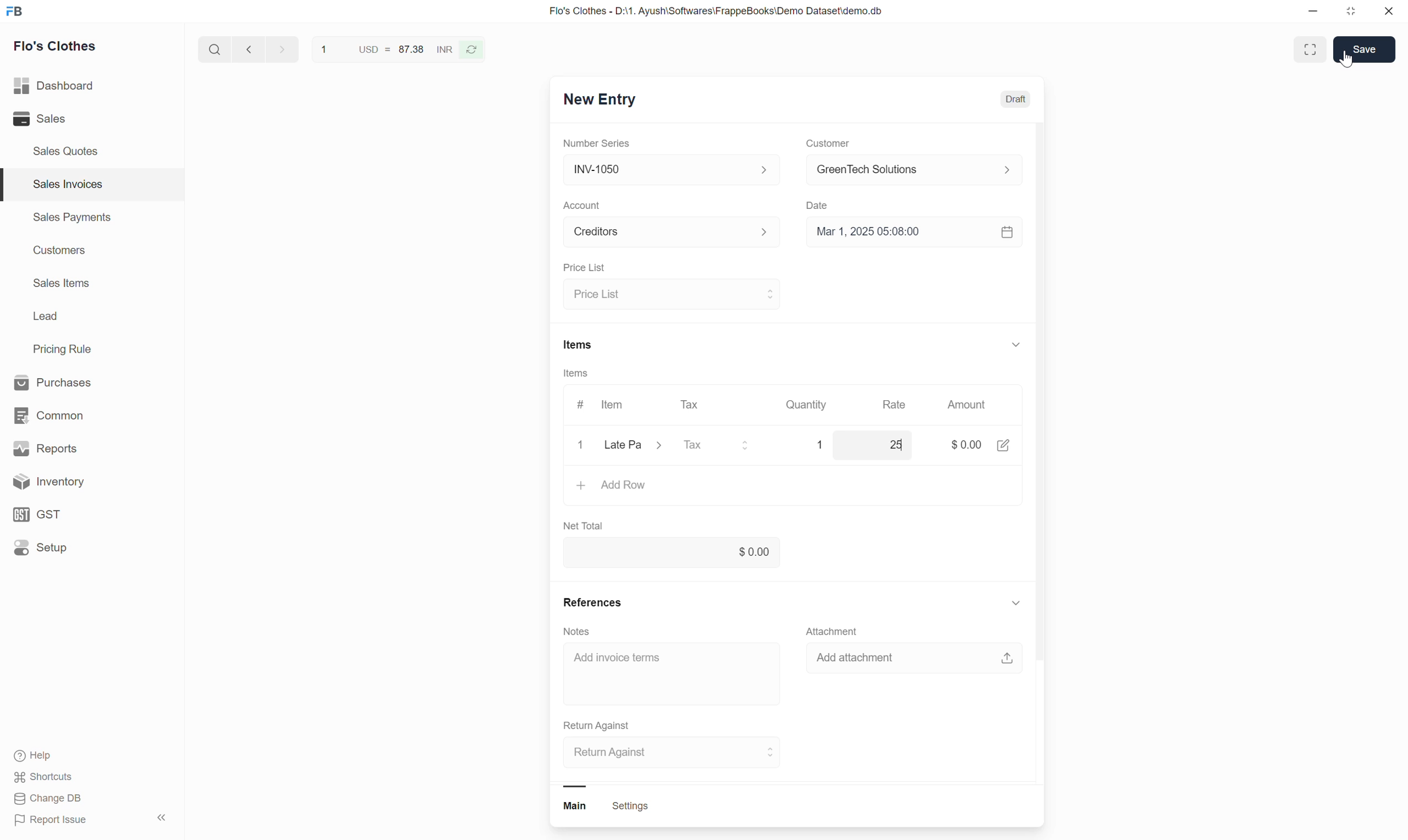  I want to click on #, so click(577, 405).